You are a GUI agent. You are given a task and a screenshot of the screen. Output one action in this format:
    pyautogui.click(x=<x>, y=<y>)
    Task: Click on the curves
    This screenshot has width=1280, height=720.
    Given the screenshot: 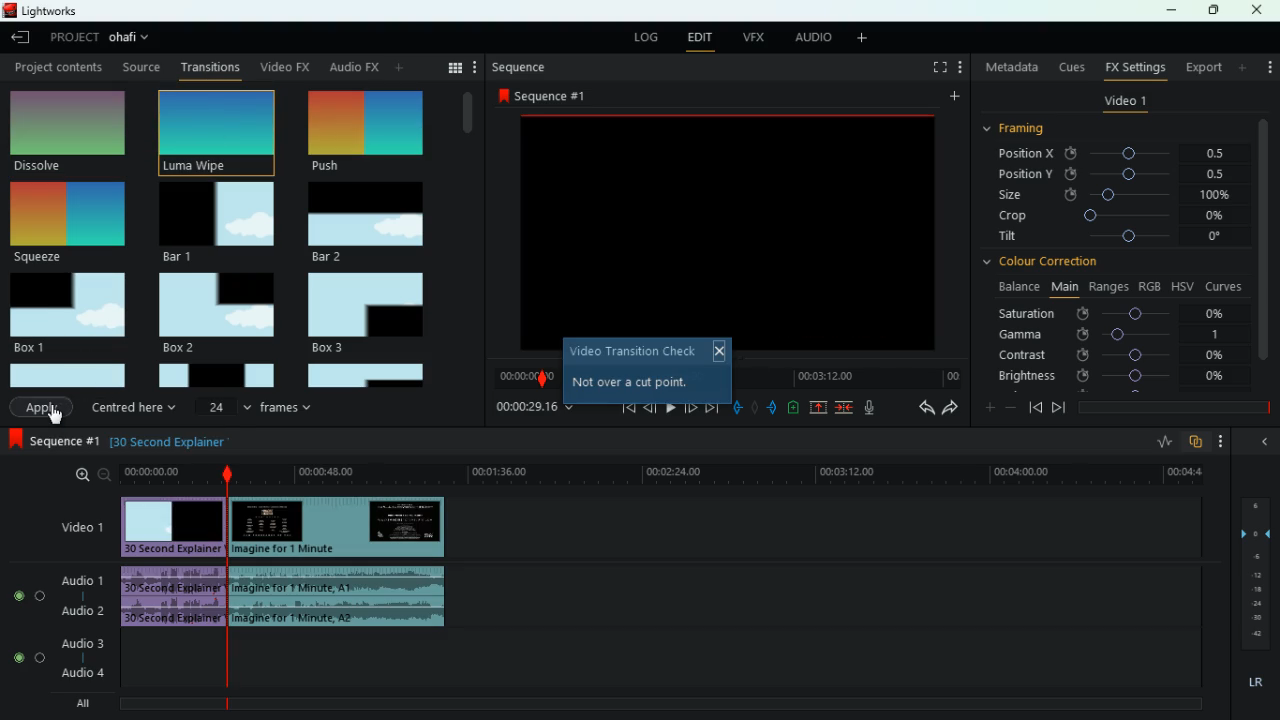 What is the action you would take?
    pyautogui.click(x=1226, y=285)
    